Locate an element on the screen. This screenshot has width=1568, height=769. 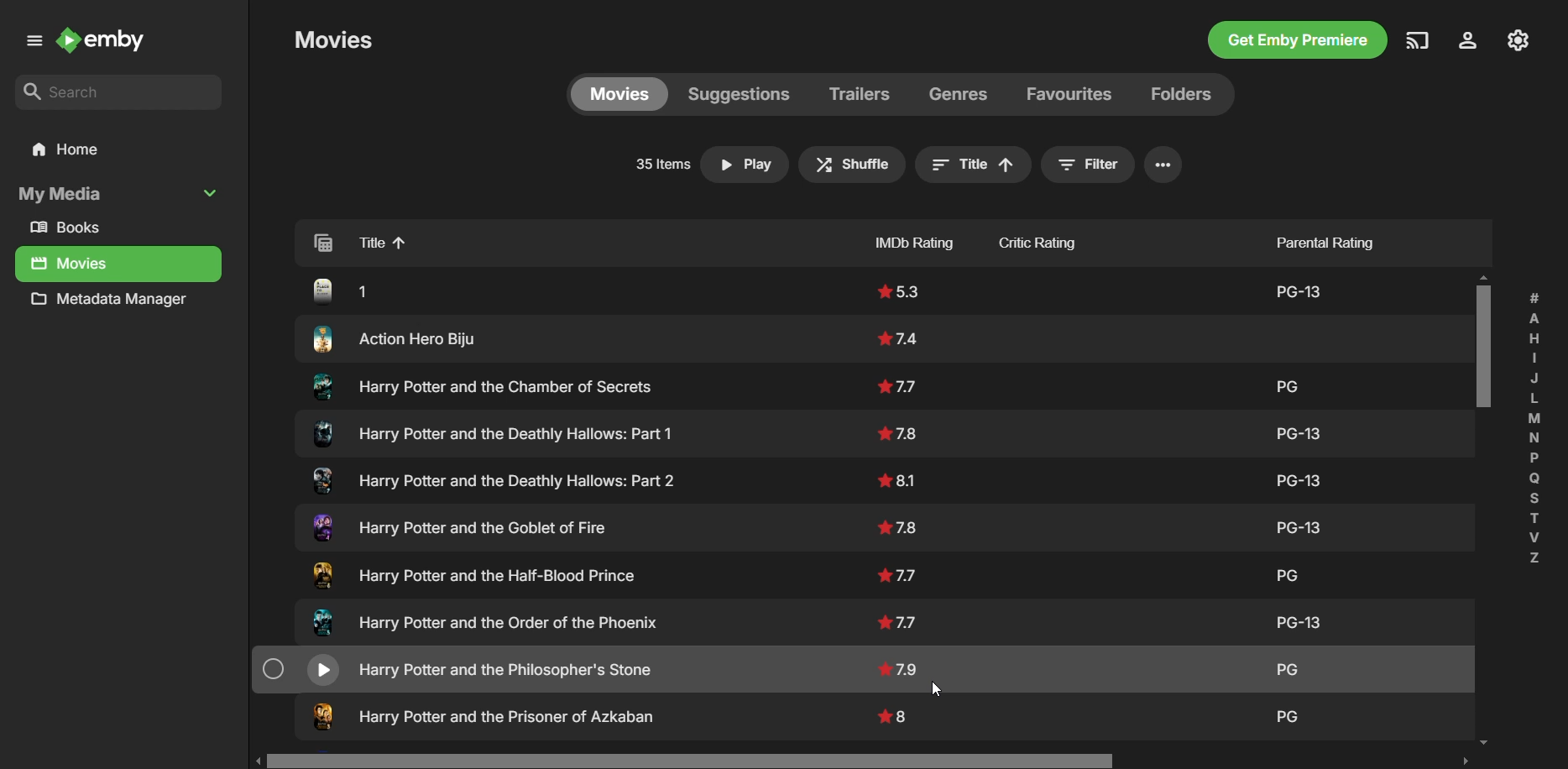
Application Name is located at coordinates (107, 42).